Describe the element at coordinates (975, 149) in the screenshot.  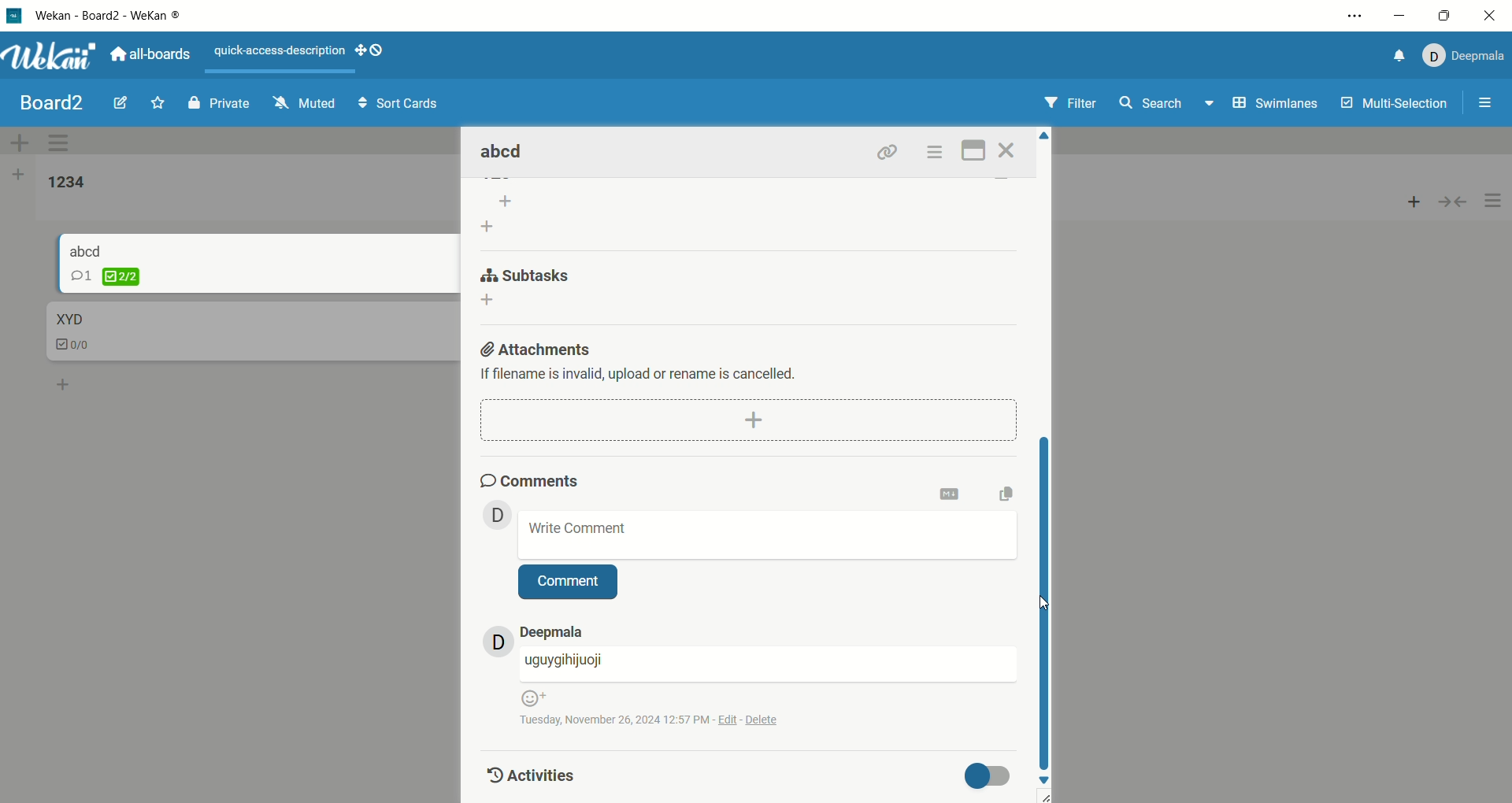
I see `maximize` at that location.